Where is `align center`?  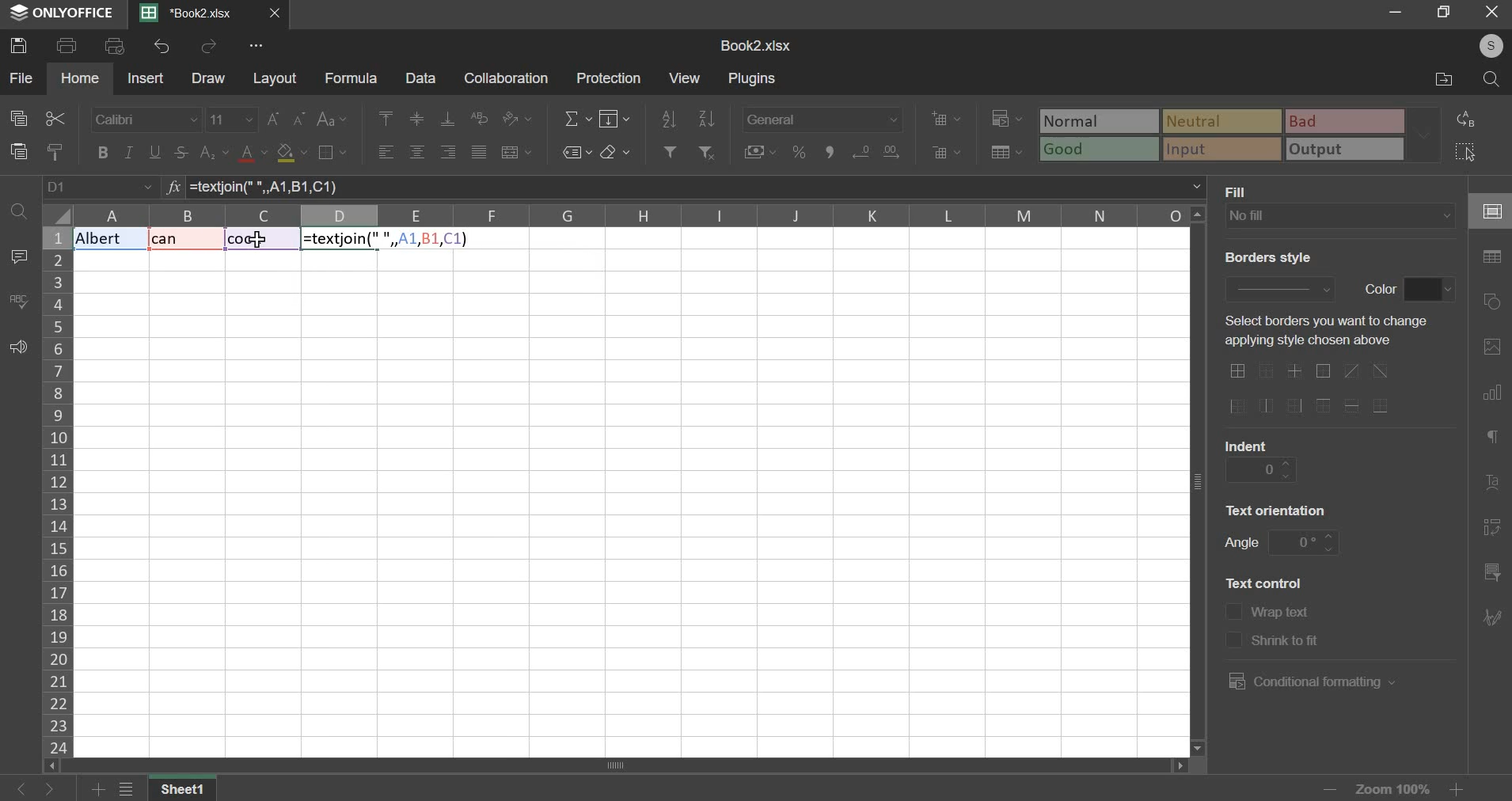
align center is located at coordinates (417, 153).